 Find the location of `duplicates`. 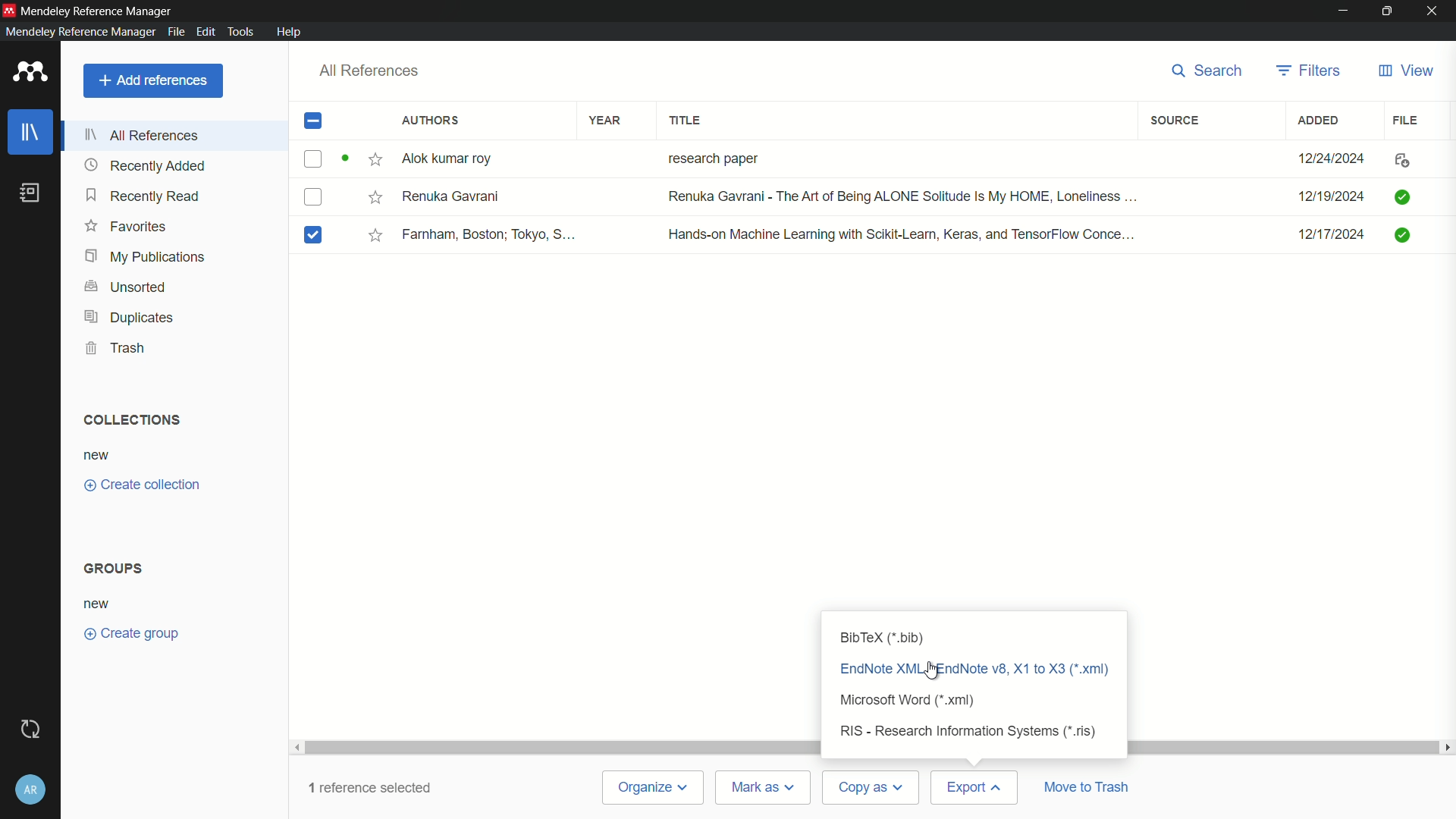

duplicates is located at coordinates (132, 318).